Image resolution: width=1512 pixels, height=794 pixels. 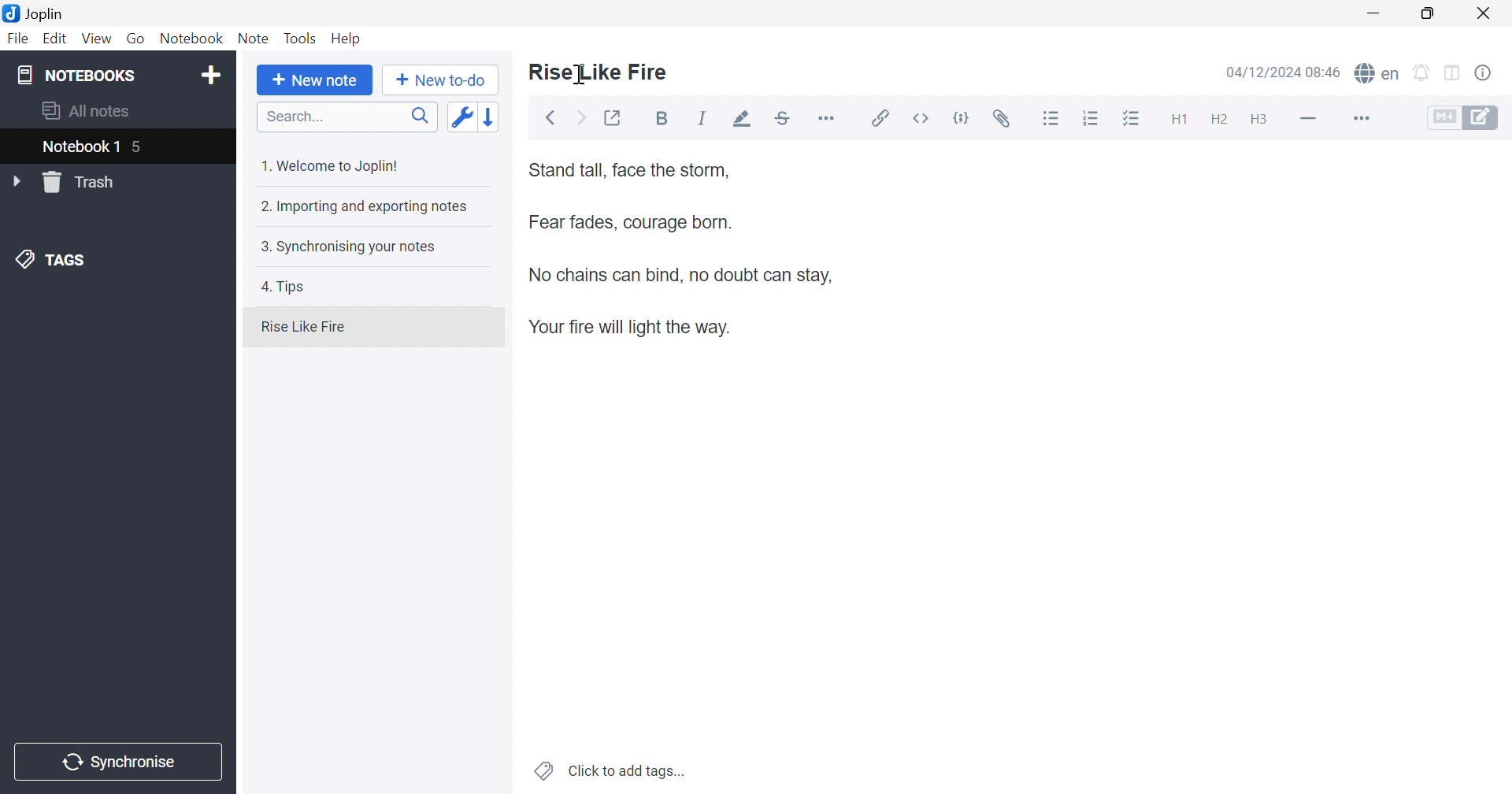 What do you see at coordinates (826, 118) in the screenshot?
I see `Horizontal` at bounding box center [826, 118].